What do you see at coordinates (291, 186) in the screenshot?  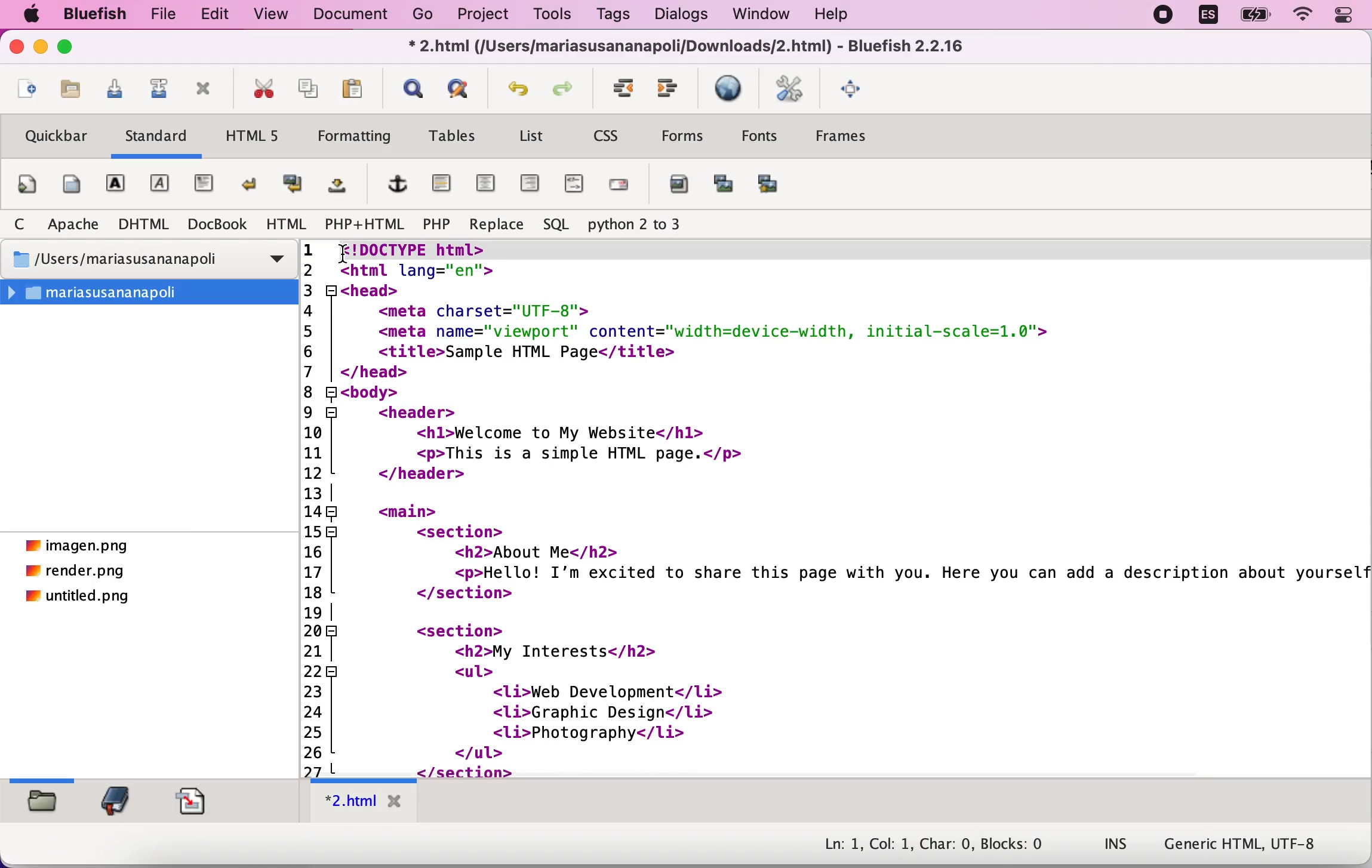 I see `break and clear` at bounding box center [291, 186].